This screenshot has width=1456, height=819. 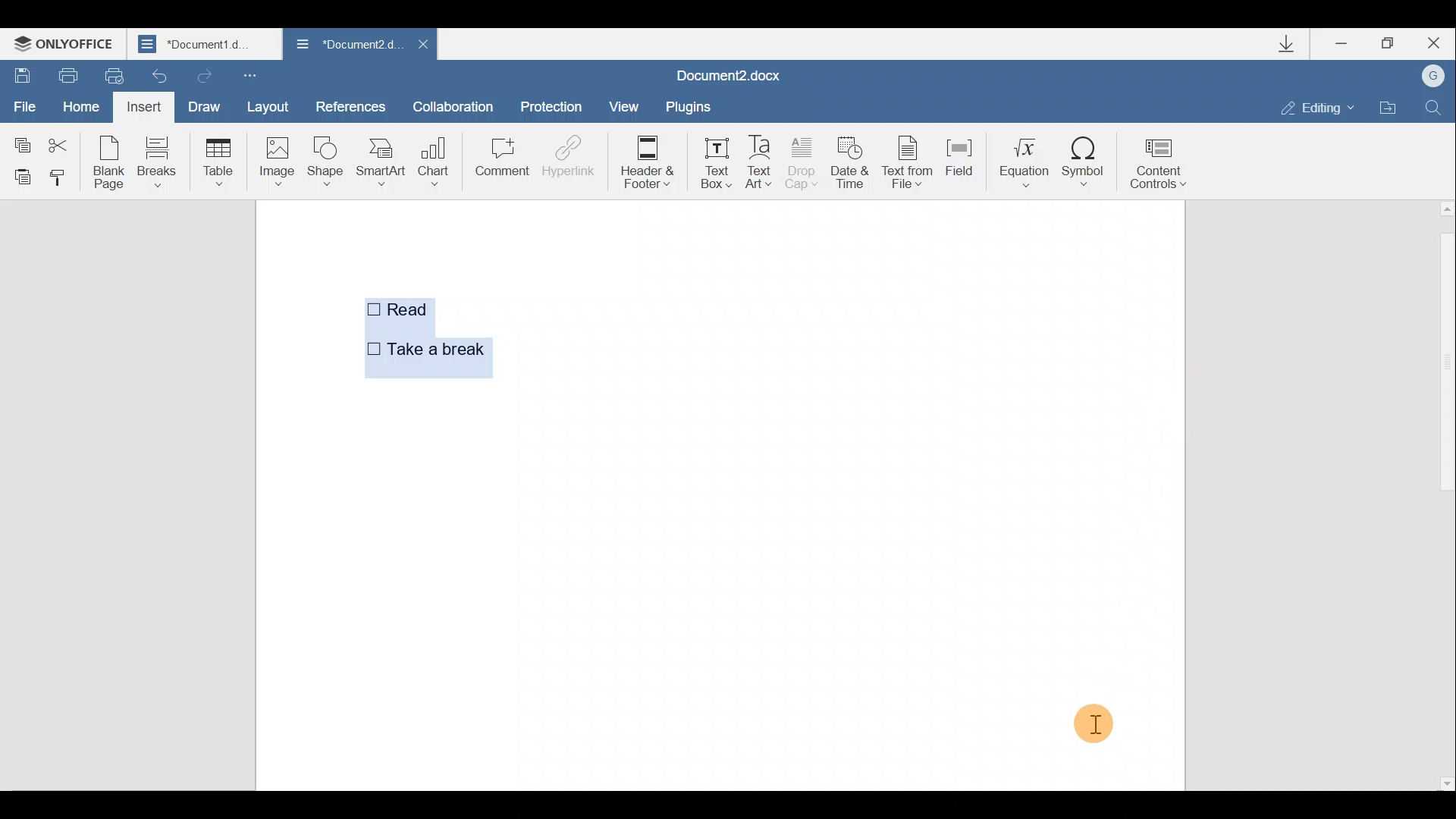 What do you see at coordinates (833, 493) in the screenshot?
I see `Working area` at bounding box center [833, 493].